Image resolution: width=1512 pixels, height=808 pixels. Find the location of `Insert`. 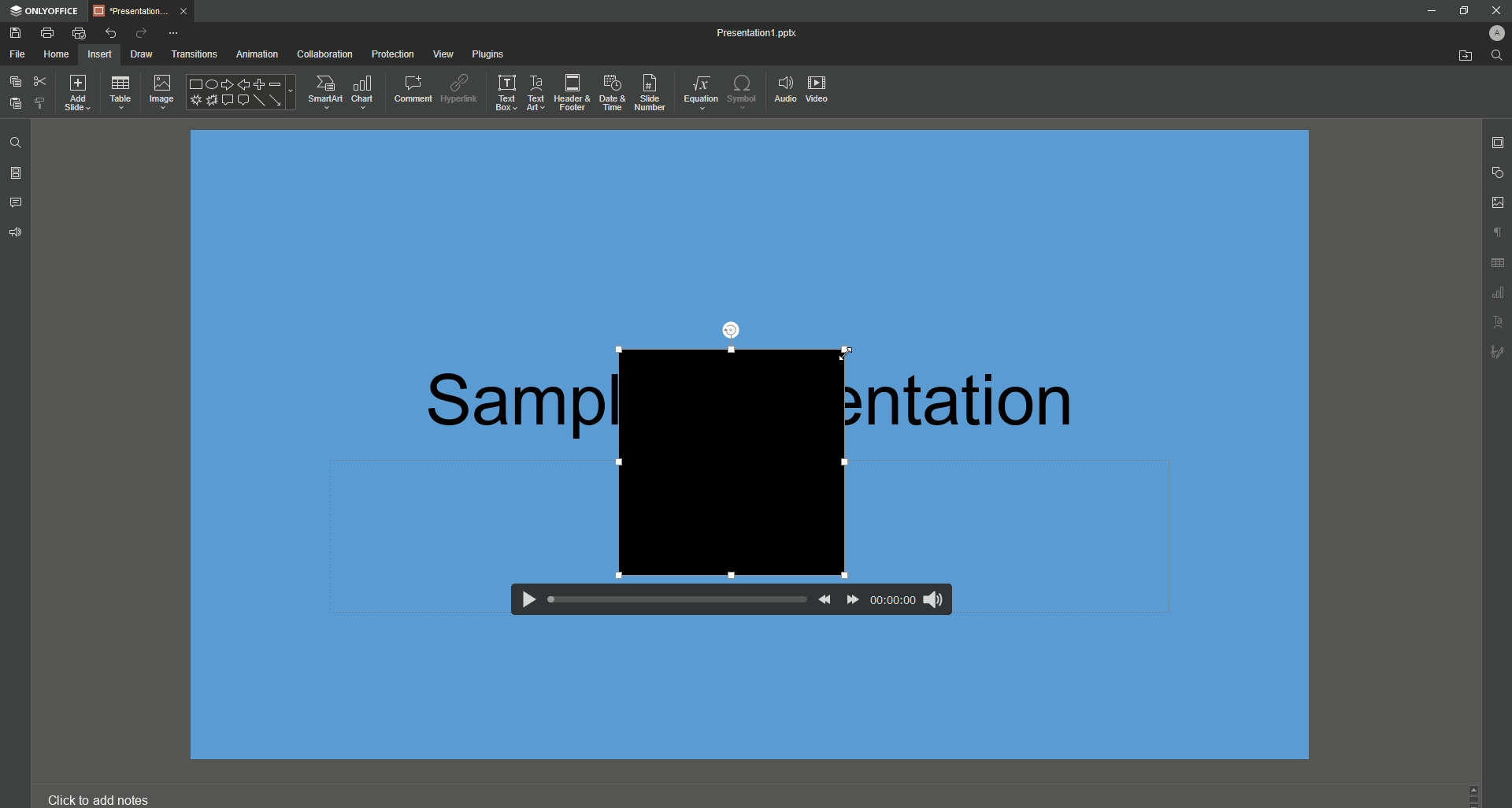

Insert is located at coordinates (98, 54).